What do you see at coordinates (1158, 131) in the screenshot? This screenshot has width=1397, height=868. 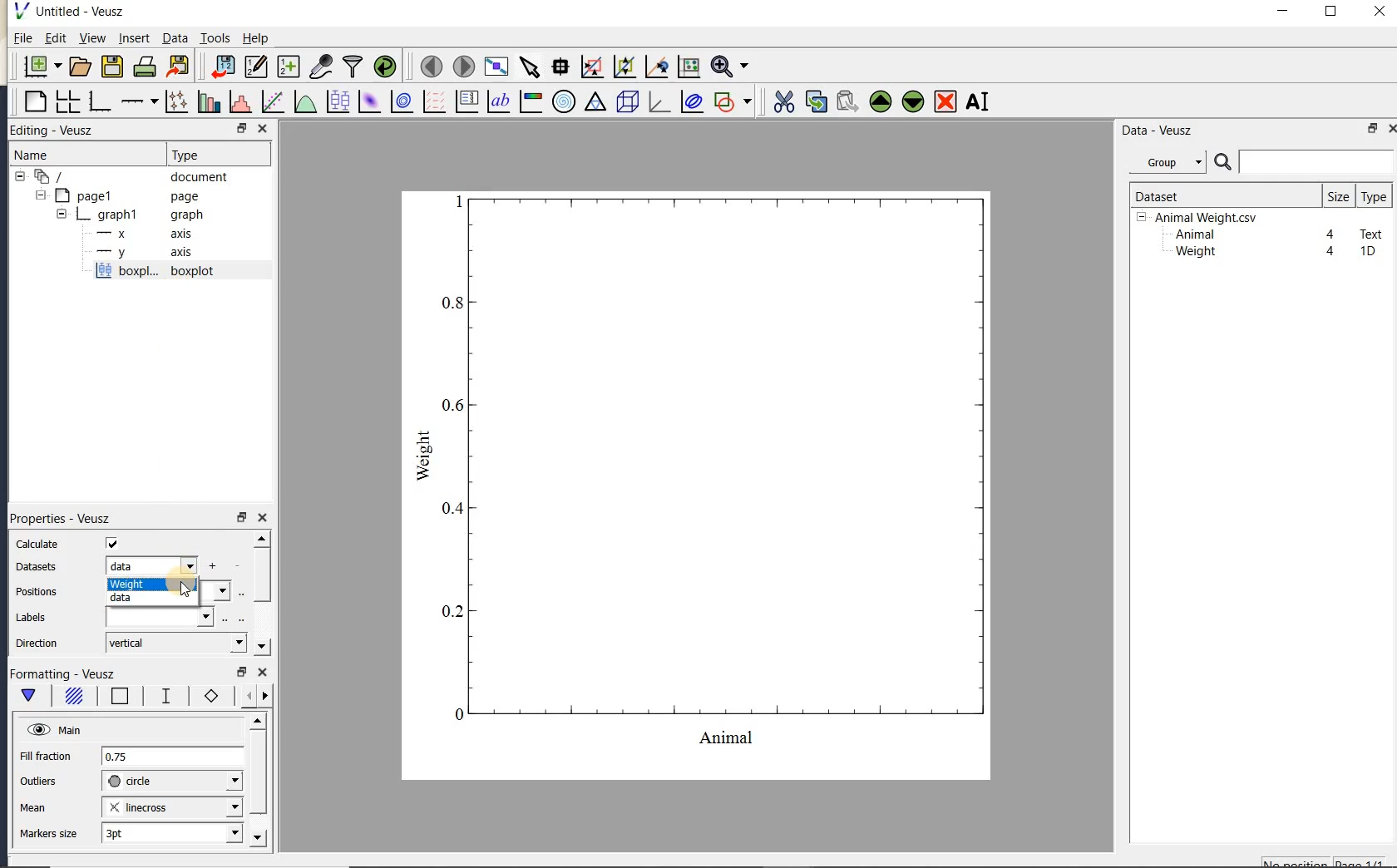 I see `Data-Veusz` at bounding box center [1158, 131].